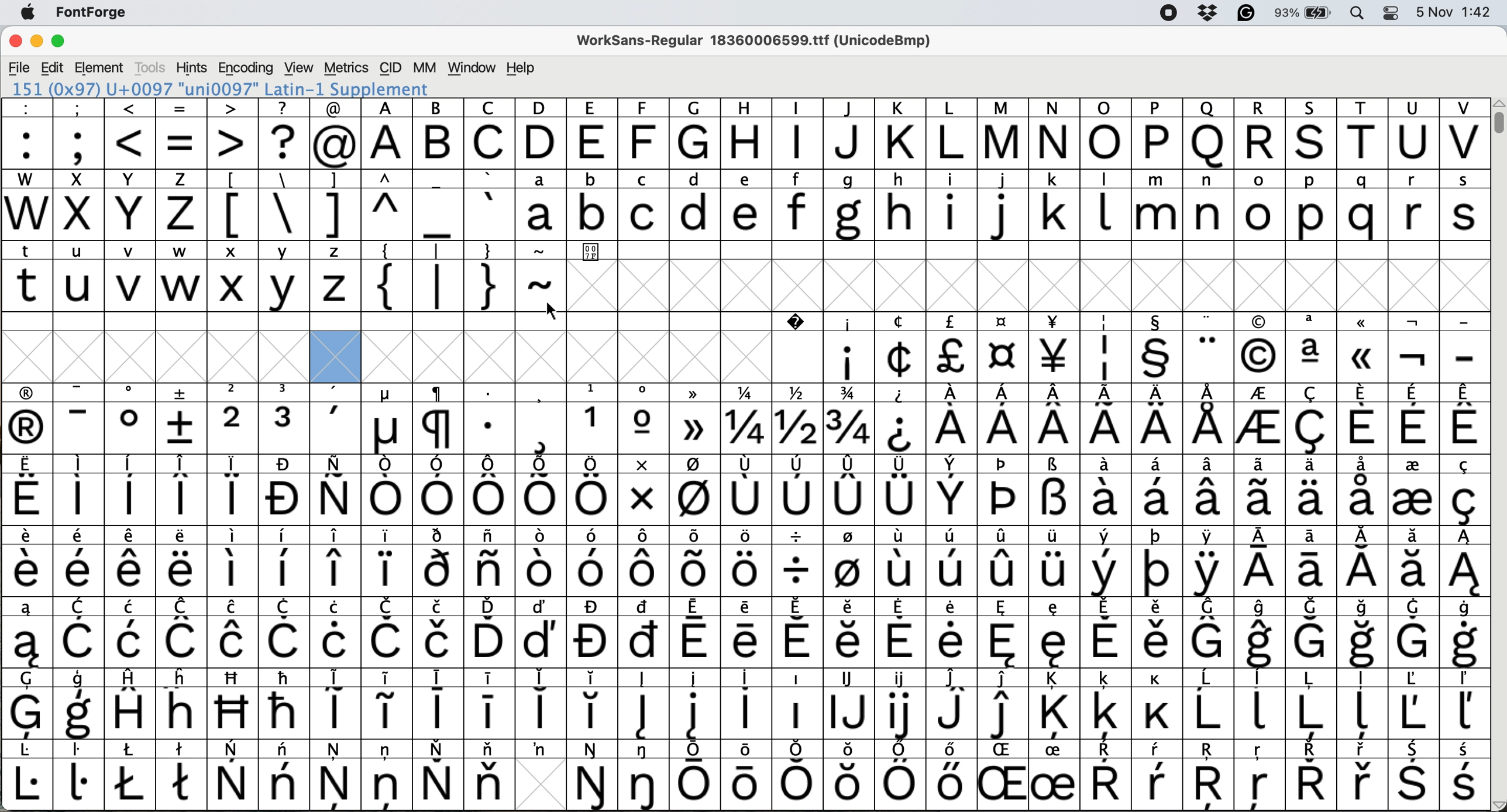  I want to click on symbol, so click(80, 705).